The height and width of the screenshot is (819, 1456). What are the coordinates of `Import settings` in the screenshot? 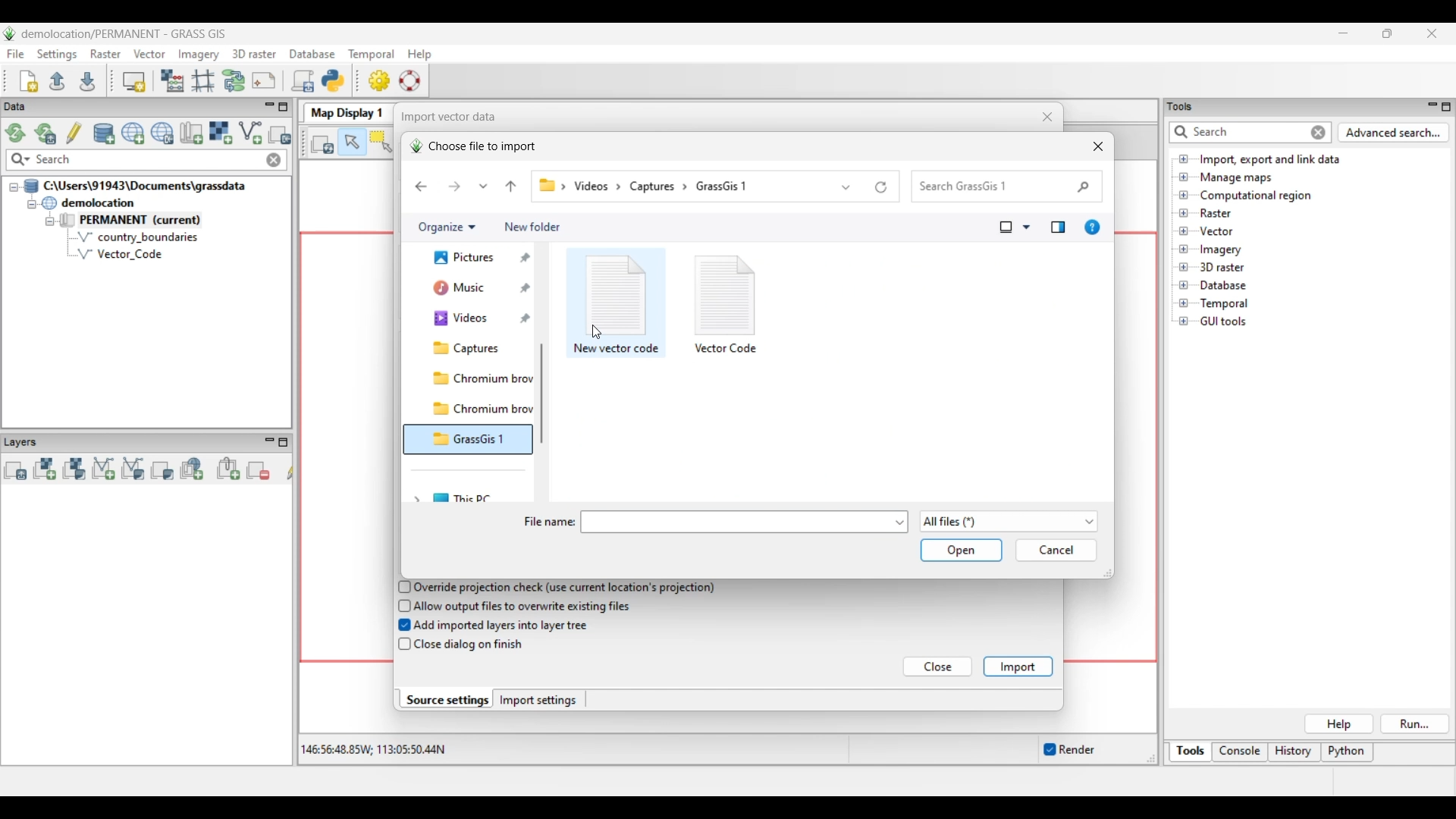 It's located at (538, 700).